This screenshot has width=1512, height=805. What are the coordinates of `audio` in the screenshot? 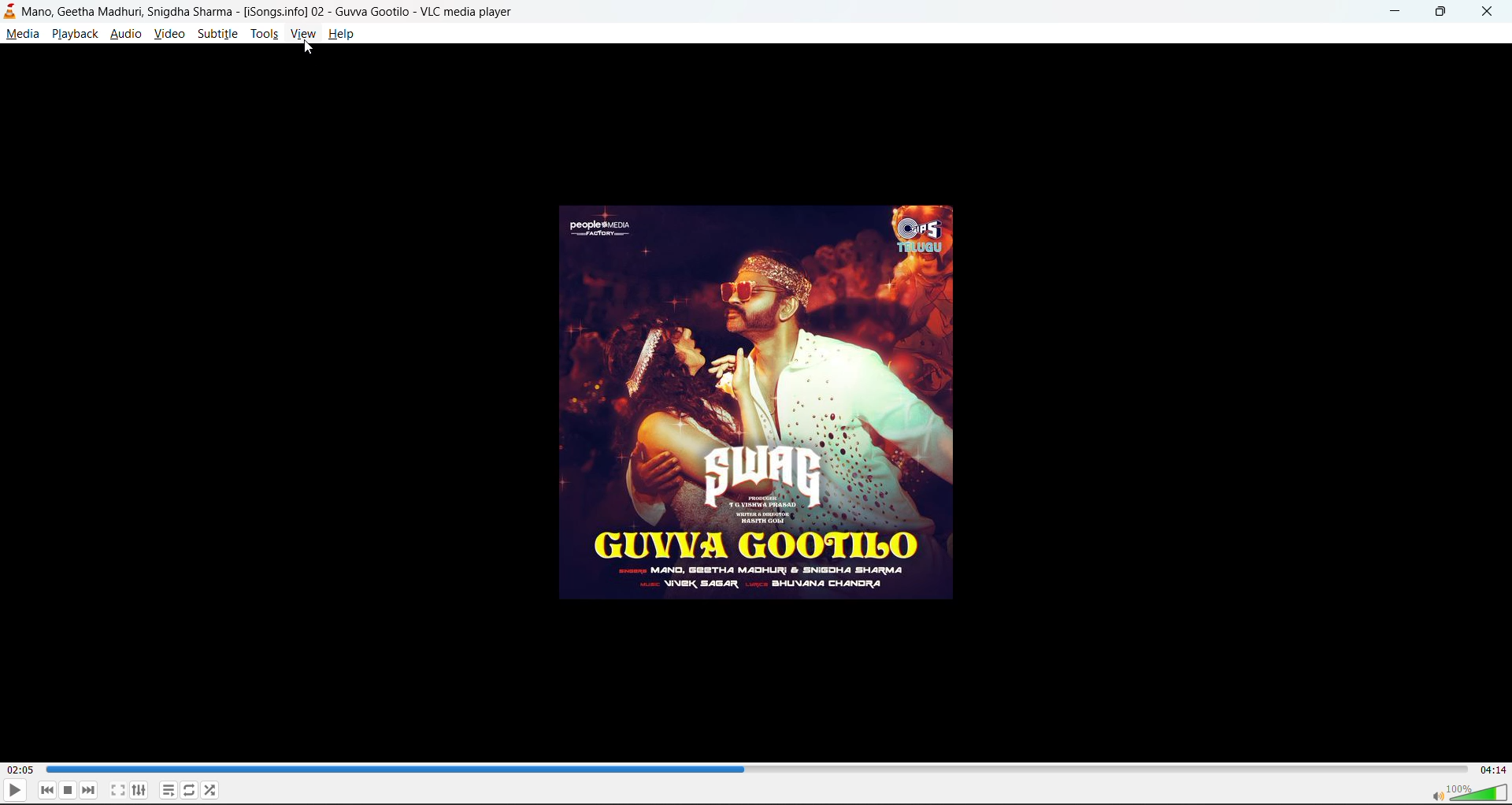 It's located at (125, 33).